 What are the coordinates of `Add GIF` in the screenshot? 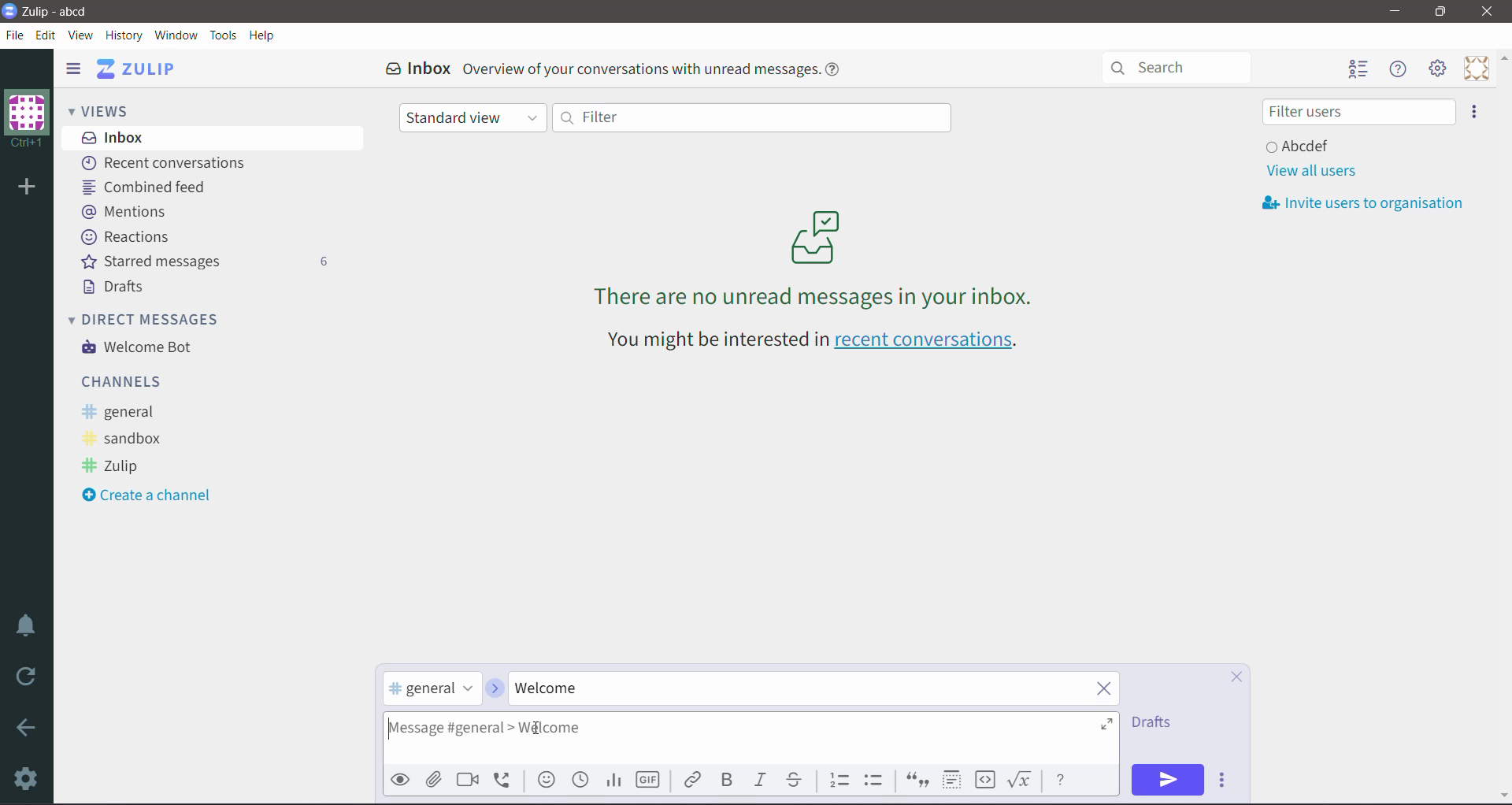 It's located at (647, 781).